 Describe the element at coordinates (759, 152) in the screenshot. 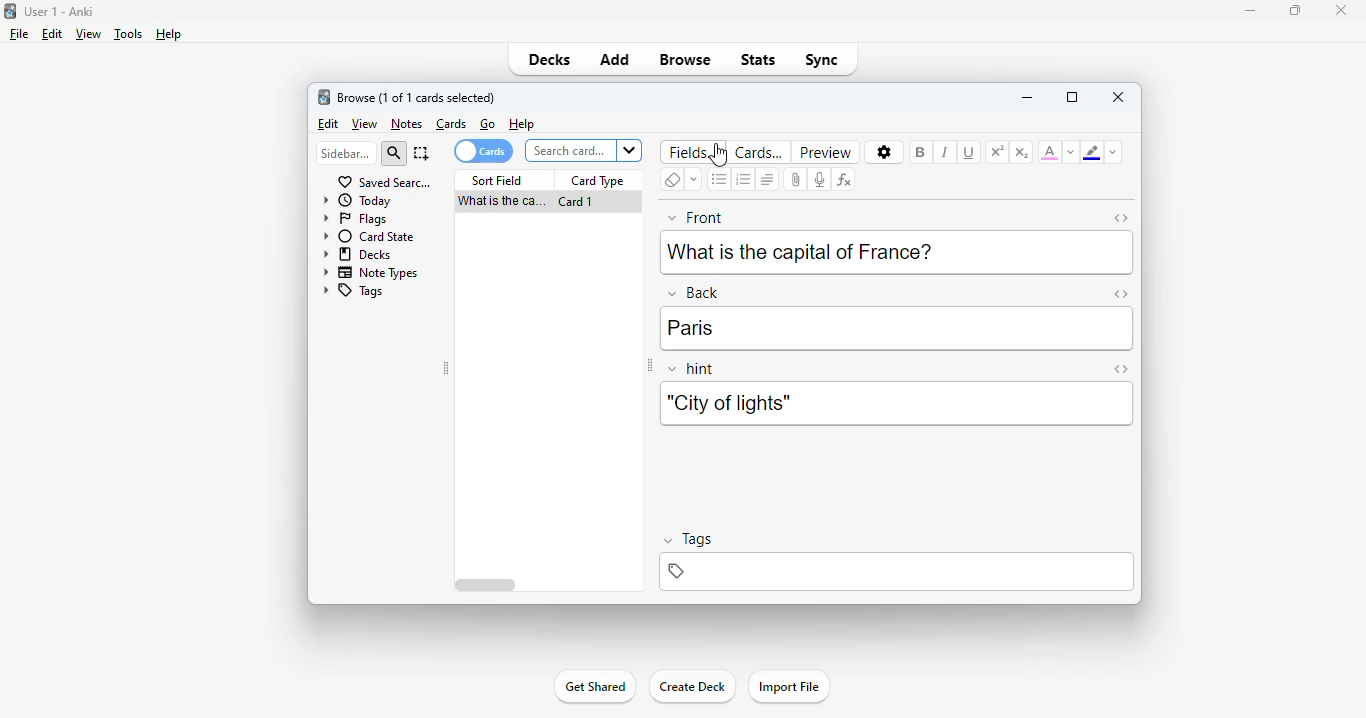

I see `cards` at that location.